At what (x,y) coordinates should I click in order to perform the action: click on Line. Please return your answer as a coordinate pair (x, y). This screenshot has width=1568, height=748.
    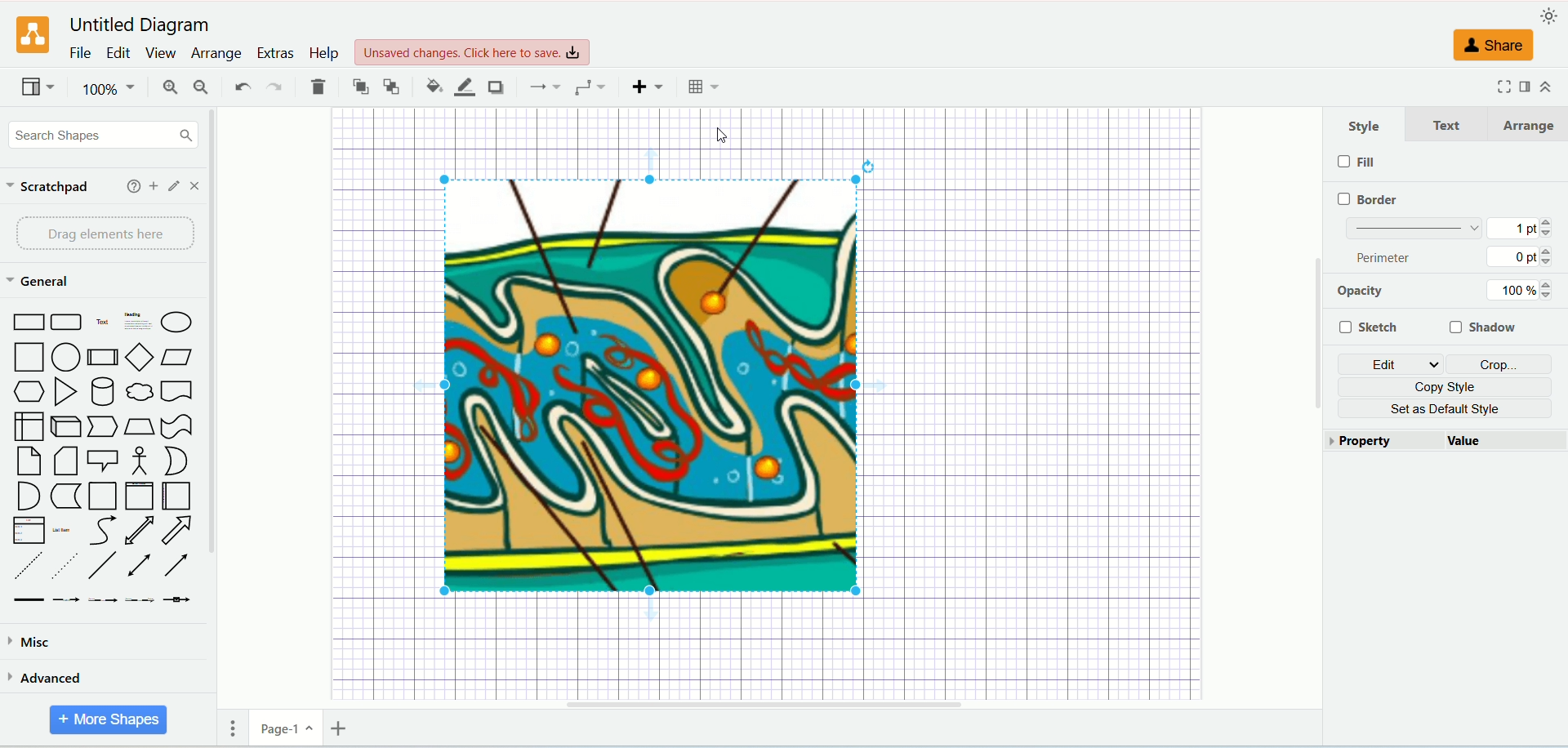
    Looking at the image, I should click on (104, 568).